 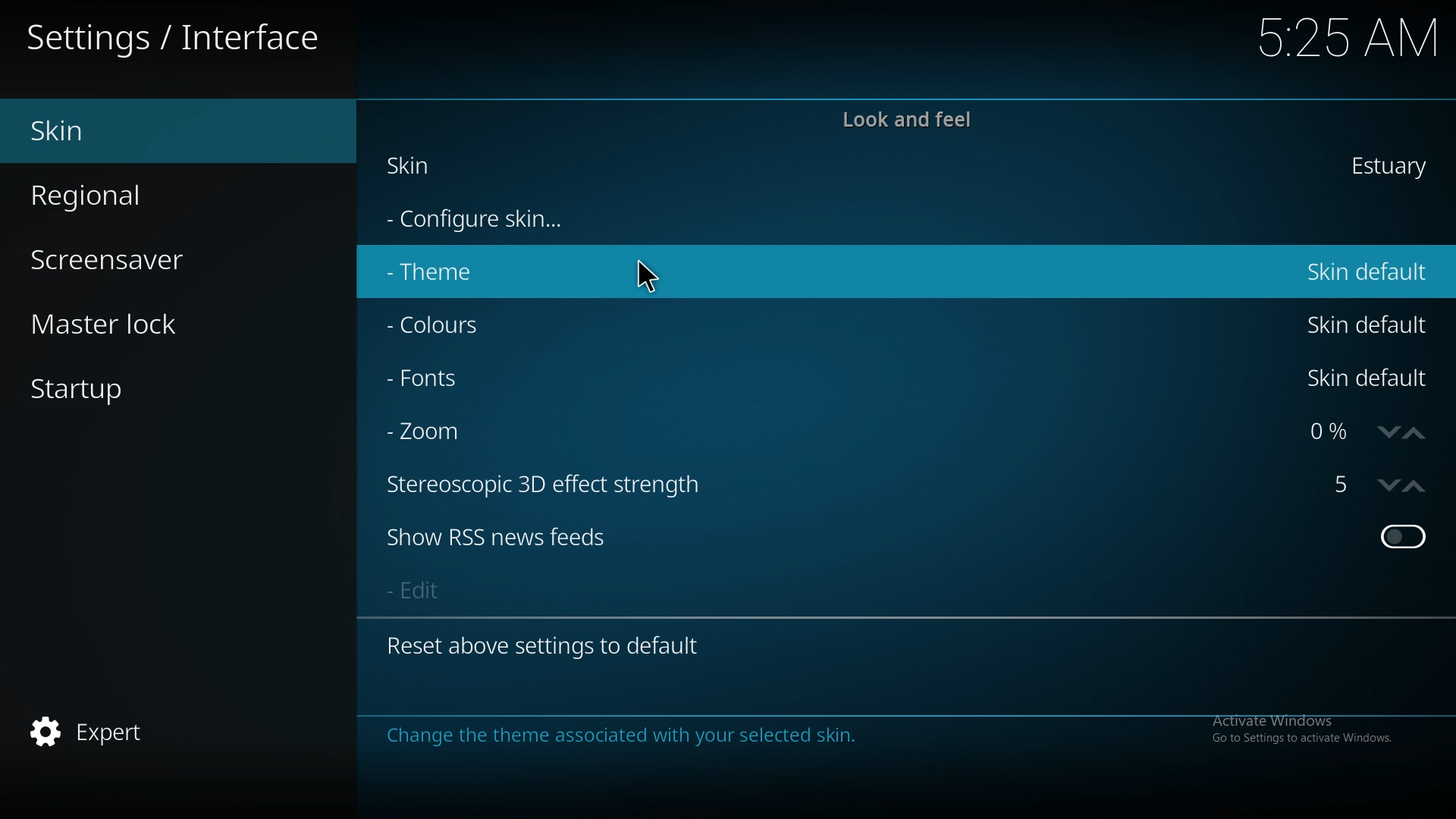 What do you see at coordinates (485, 221) in the screenshot?
I see `configure skin` at bounding box center [485, 221].